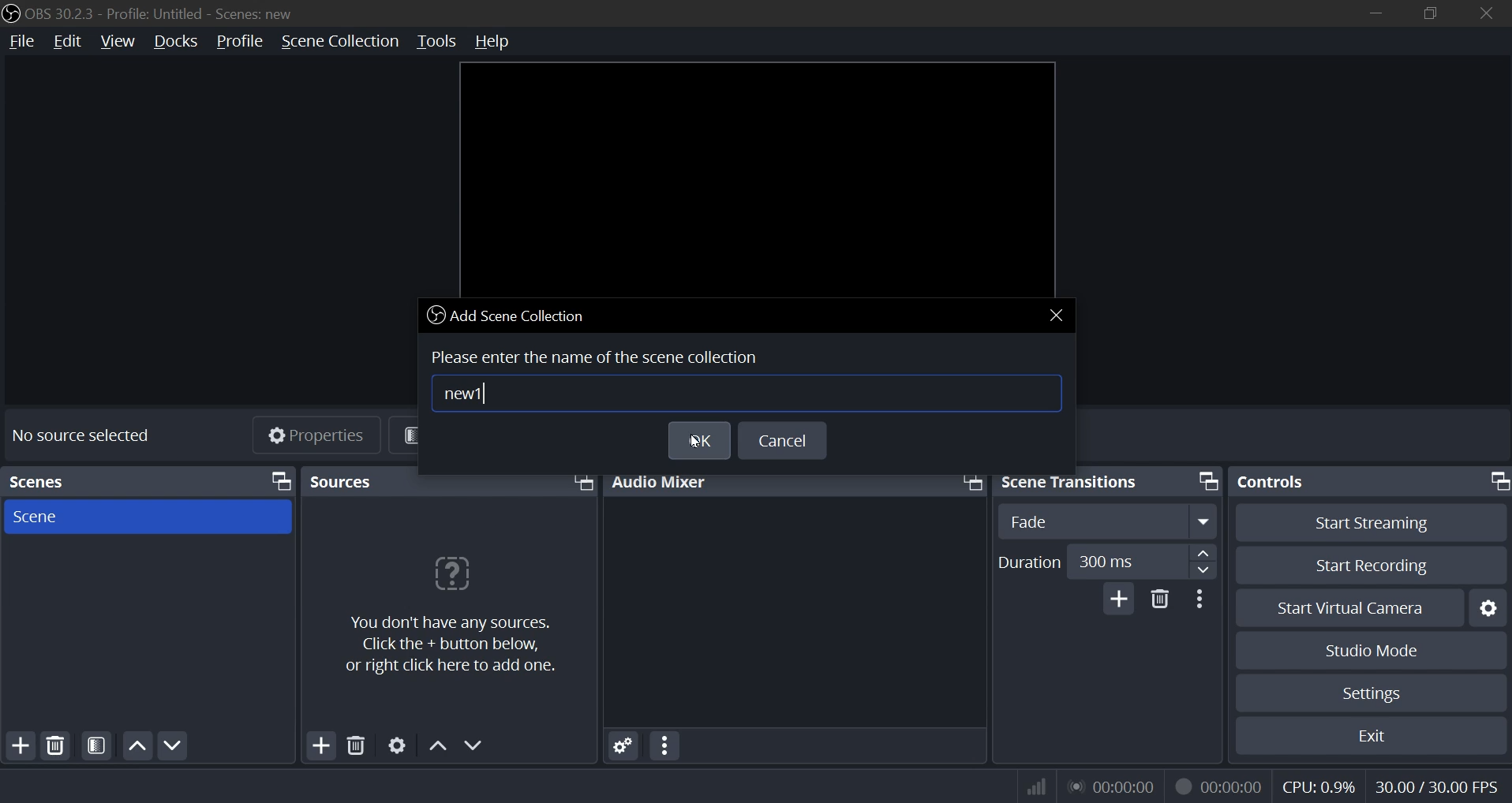  Describe the element at coordinates (339, 41) in the screenshot. I see `scene collection` at that location.